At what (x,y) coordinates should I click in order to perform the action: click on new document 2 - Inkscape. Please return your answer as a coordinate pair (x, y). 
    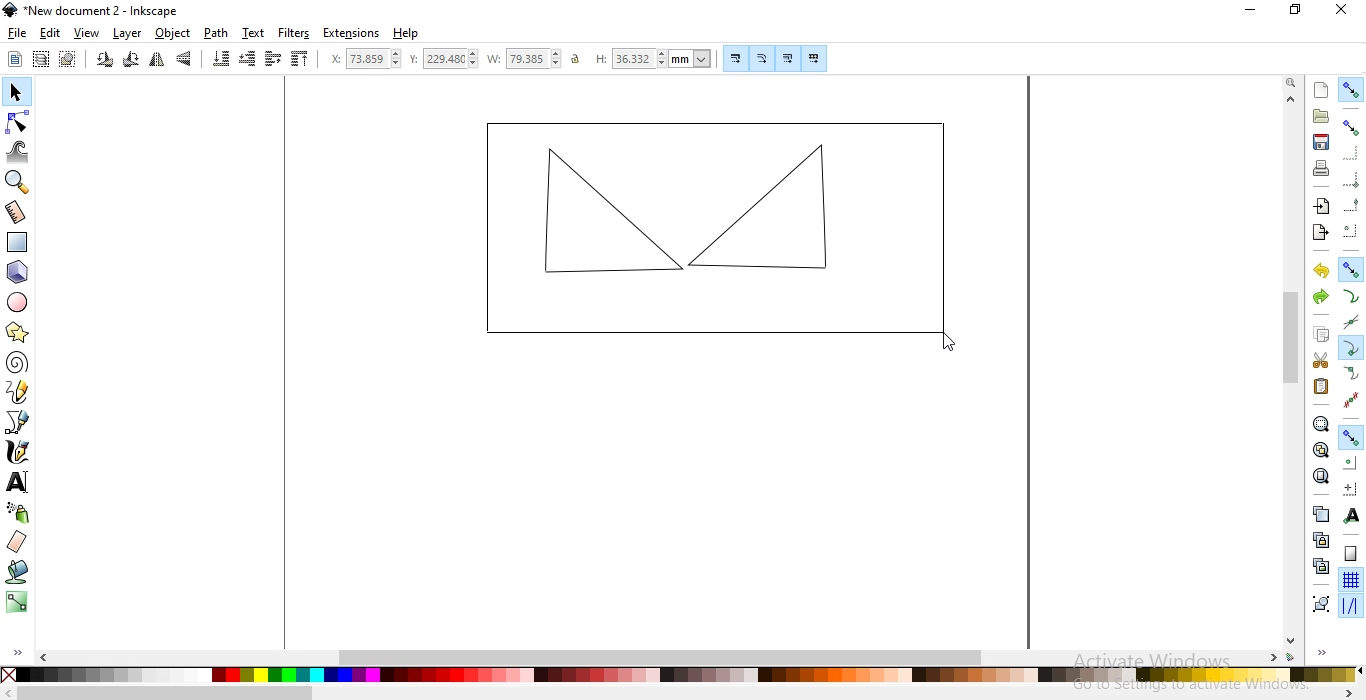
    Looking at the image, I should click on (98, 9).